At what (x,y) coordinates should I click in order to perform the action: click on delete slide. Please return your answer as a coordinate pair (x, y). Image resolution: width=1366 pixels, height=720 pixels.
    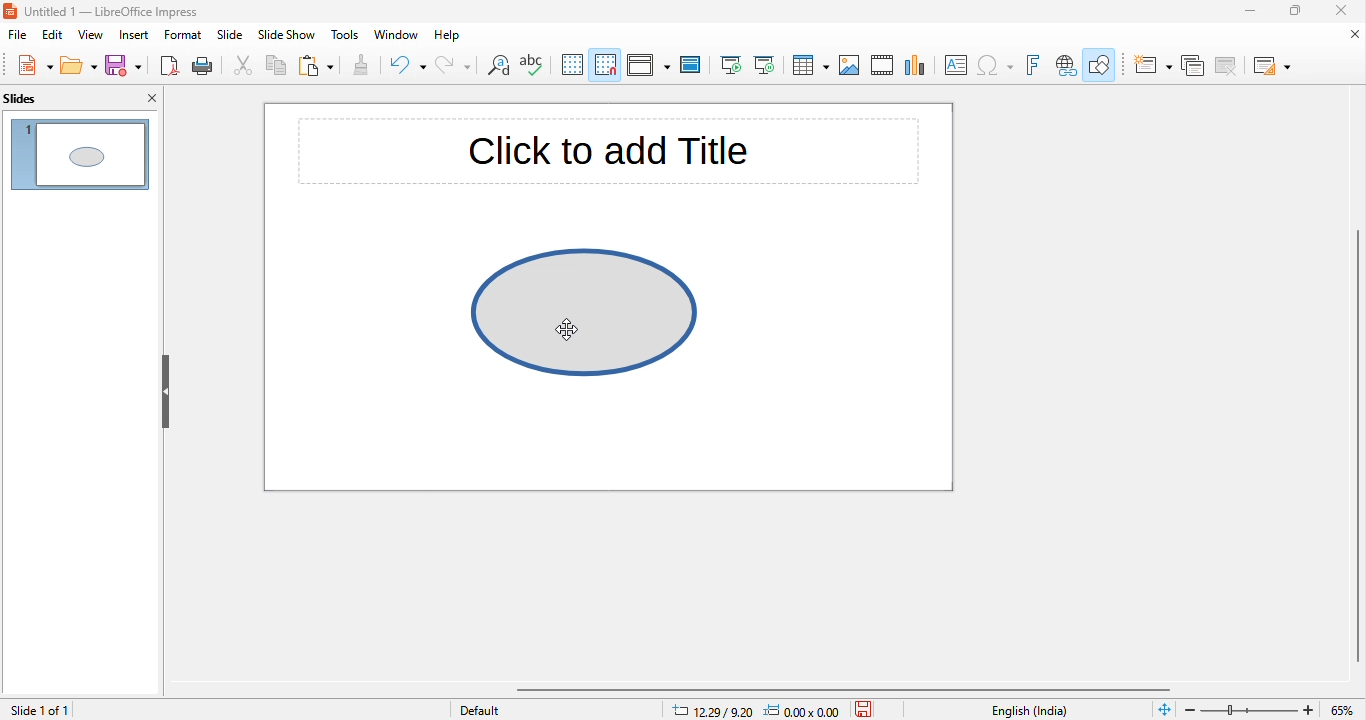
    Looking at the image, I should click on (1226, 66).